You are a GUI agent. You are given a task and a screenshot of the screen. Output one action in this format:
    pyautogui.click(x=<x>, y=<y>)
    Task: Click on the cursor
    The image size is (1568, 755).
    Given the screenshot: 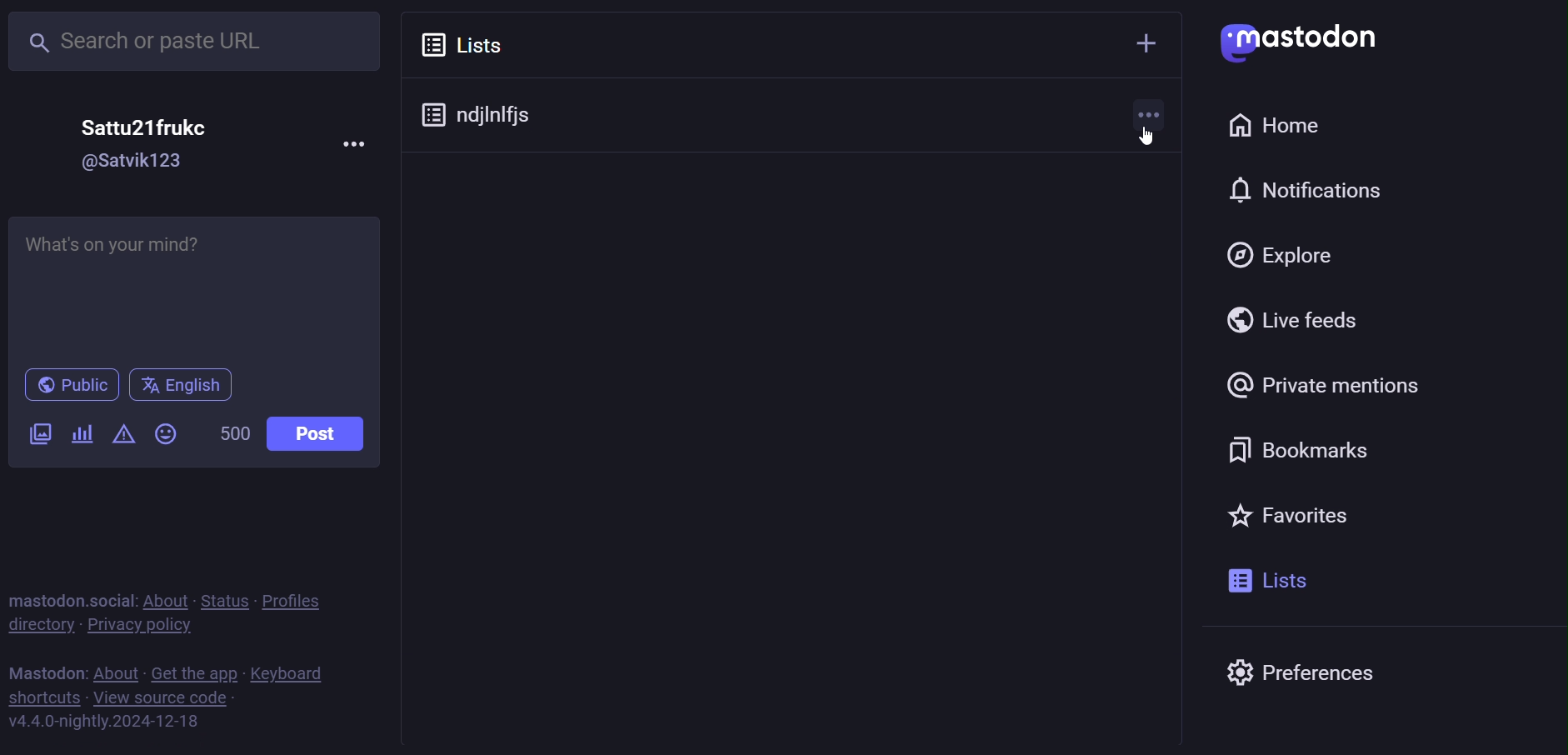 What is the action you would take?
    pyautogui.click(x=1146, y=132)
    